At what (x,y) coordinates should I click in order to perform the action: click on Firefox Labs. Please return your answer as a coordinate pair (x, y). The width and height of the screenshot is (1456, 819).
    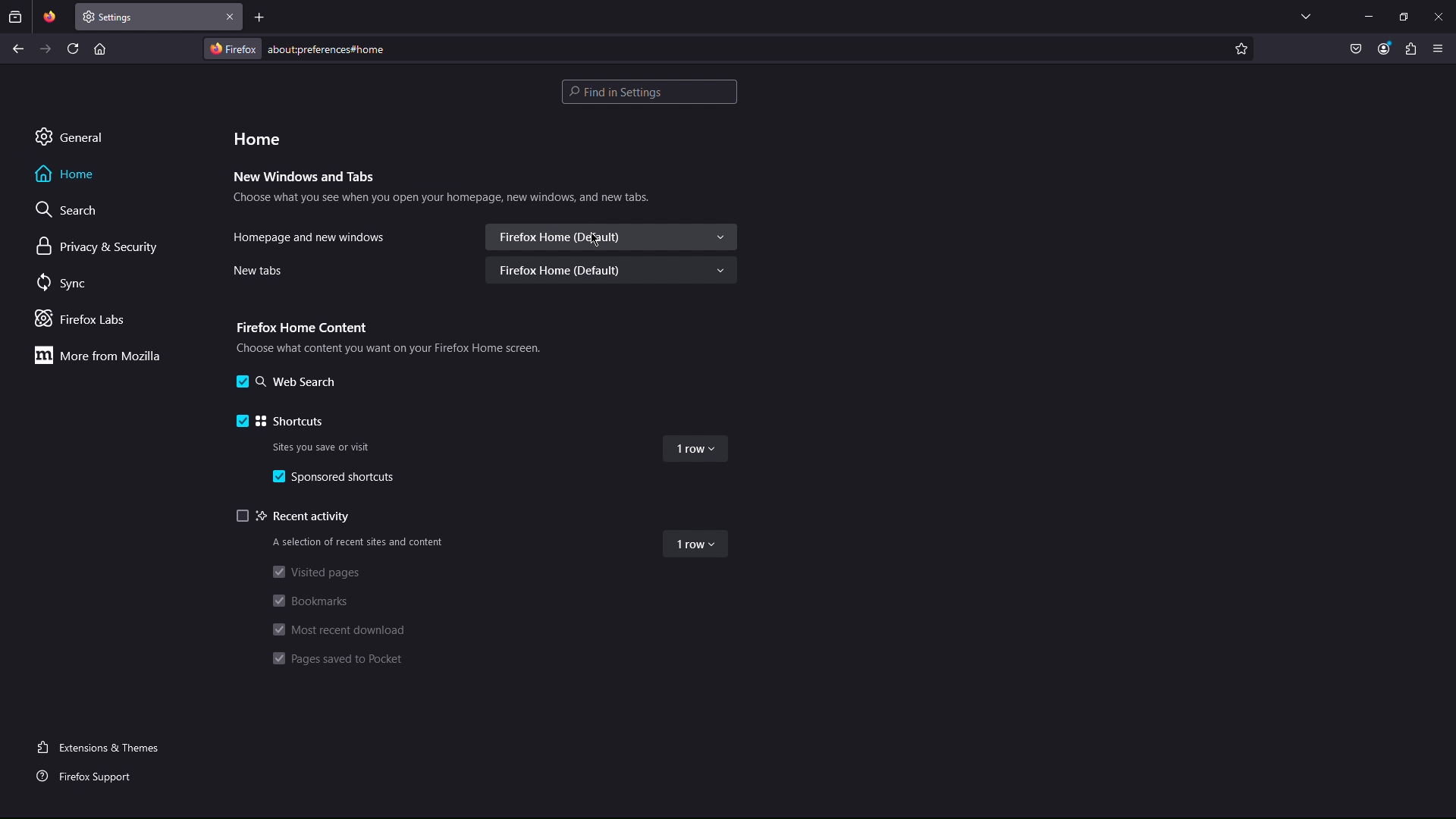
    Looking at the image, I should click on (86, 320).